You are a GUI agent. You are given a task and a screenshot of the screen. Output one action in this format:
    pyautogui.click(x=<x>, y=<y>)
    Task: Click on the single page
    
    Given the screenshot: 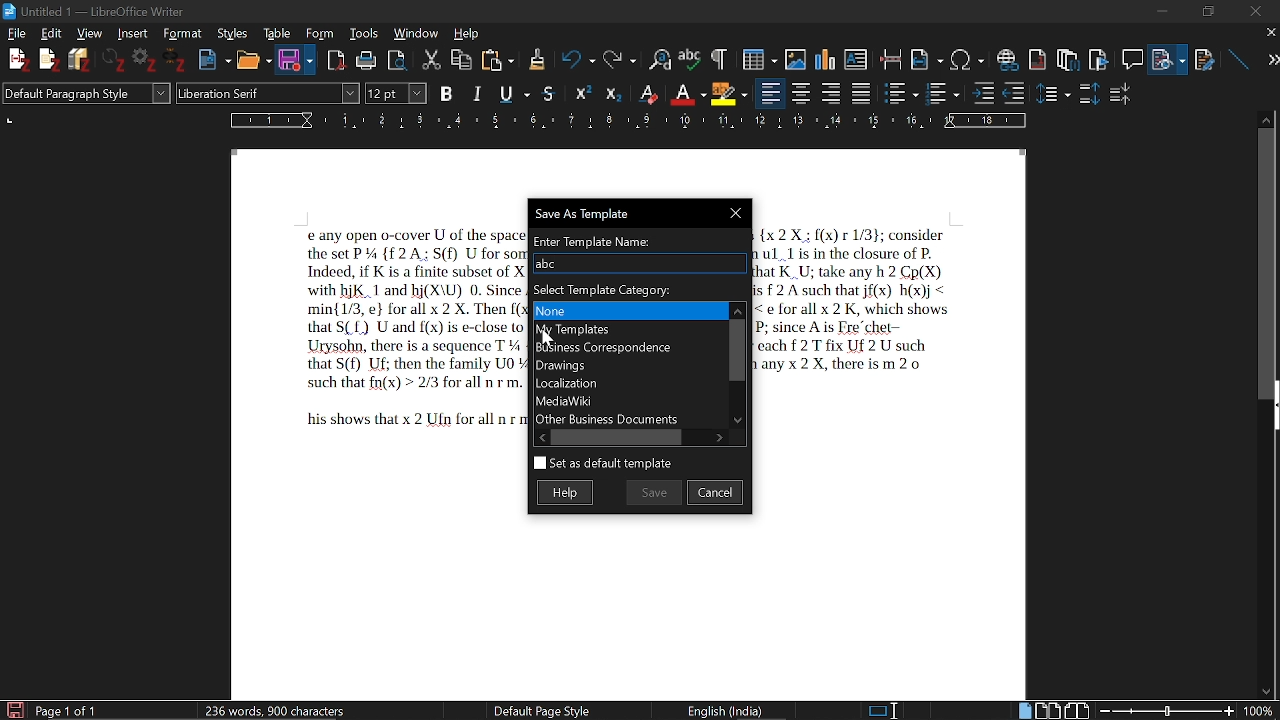 What is the action you would take?
    pyautogui.click(x=1025, y=710)
    